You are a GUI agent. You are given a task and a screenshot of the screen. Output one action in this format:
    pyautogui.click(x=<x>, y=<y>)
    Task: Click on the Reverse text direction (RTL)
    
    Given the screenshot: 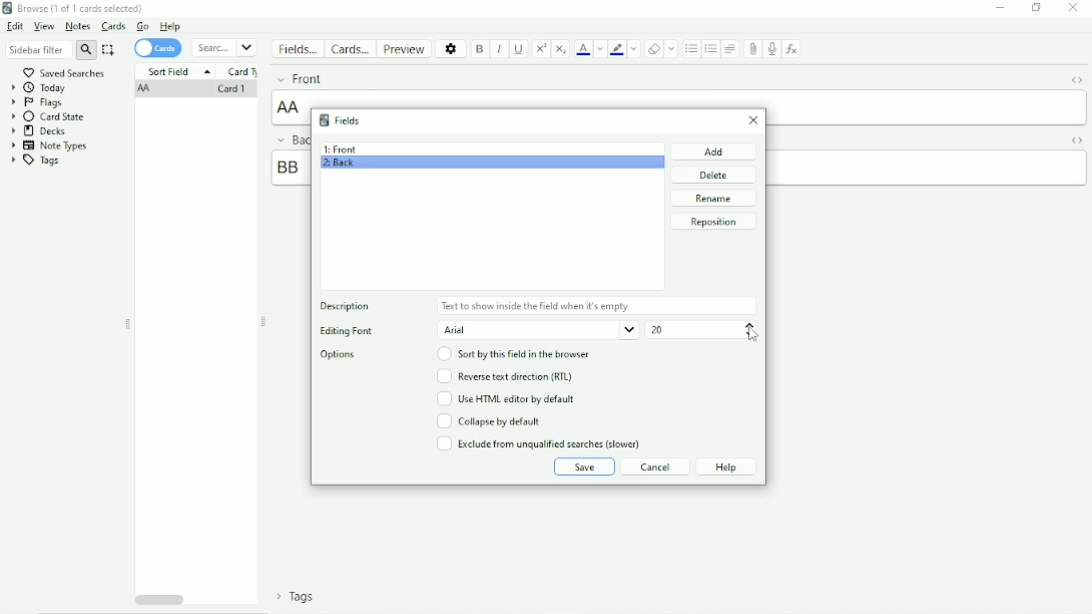 What is the action you would take?
    pyautogui.click(x=504, y=376)
    